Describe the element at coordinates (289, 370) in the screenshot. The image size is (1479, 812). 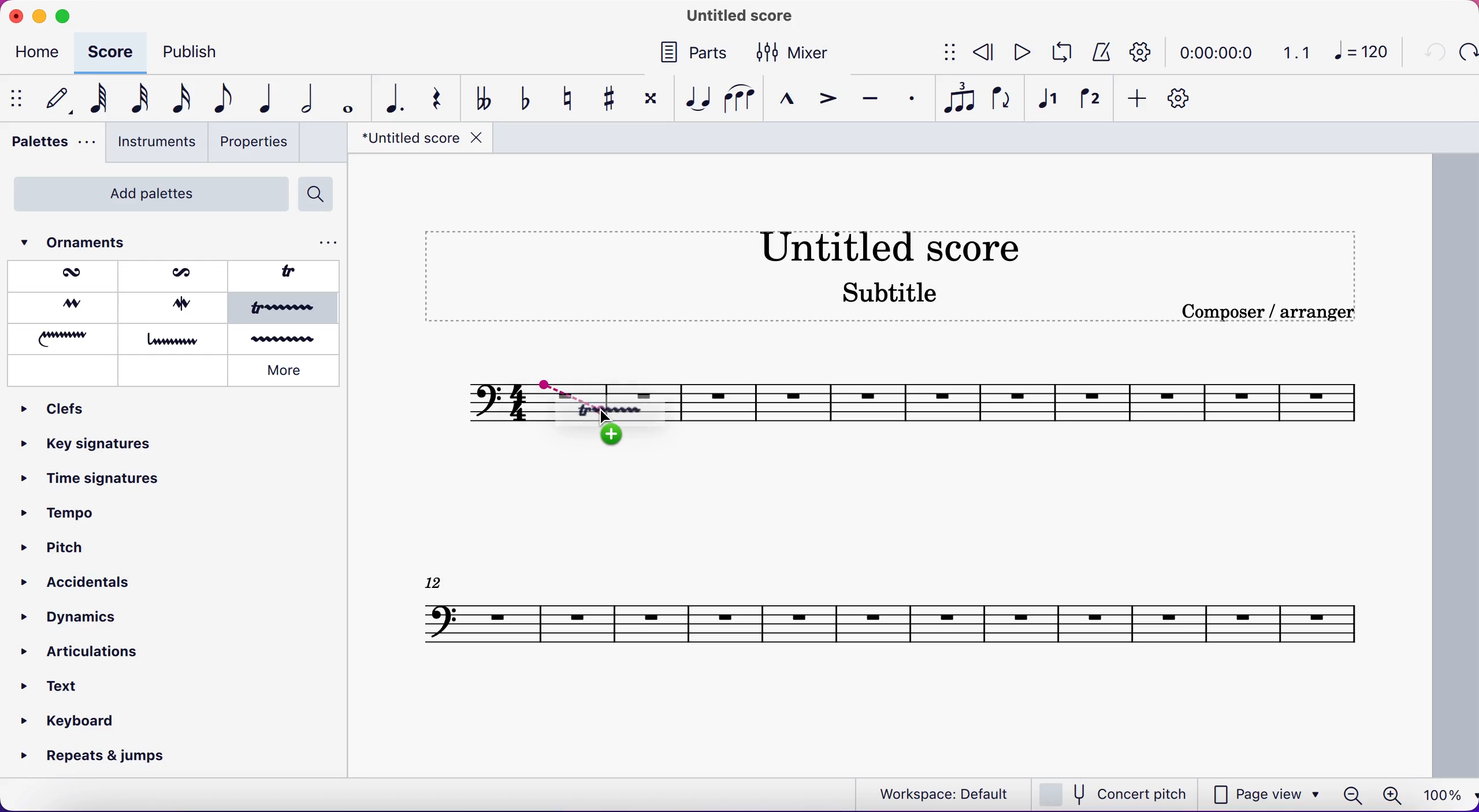
I see `more` at that location.